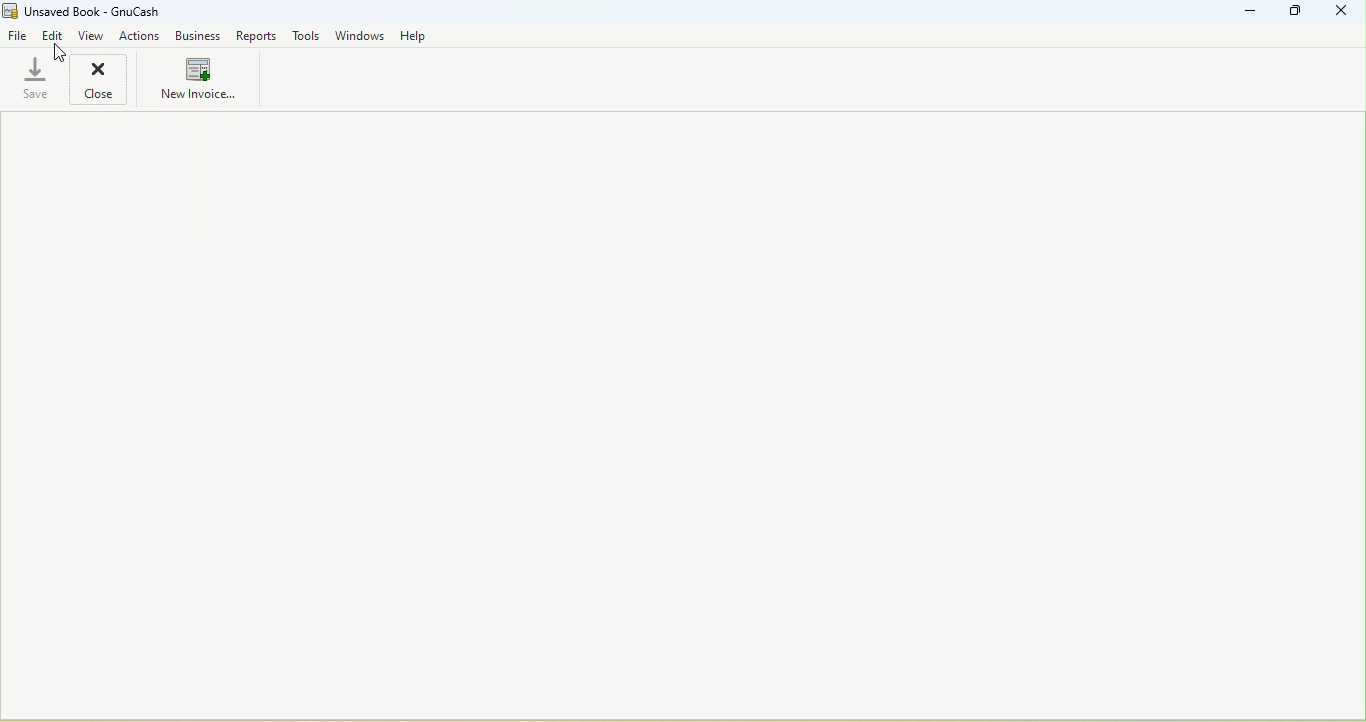 The height and width of the screenshot is (722, 1366). I want to click on Business, so click(200, 36).